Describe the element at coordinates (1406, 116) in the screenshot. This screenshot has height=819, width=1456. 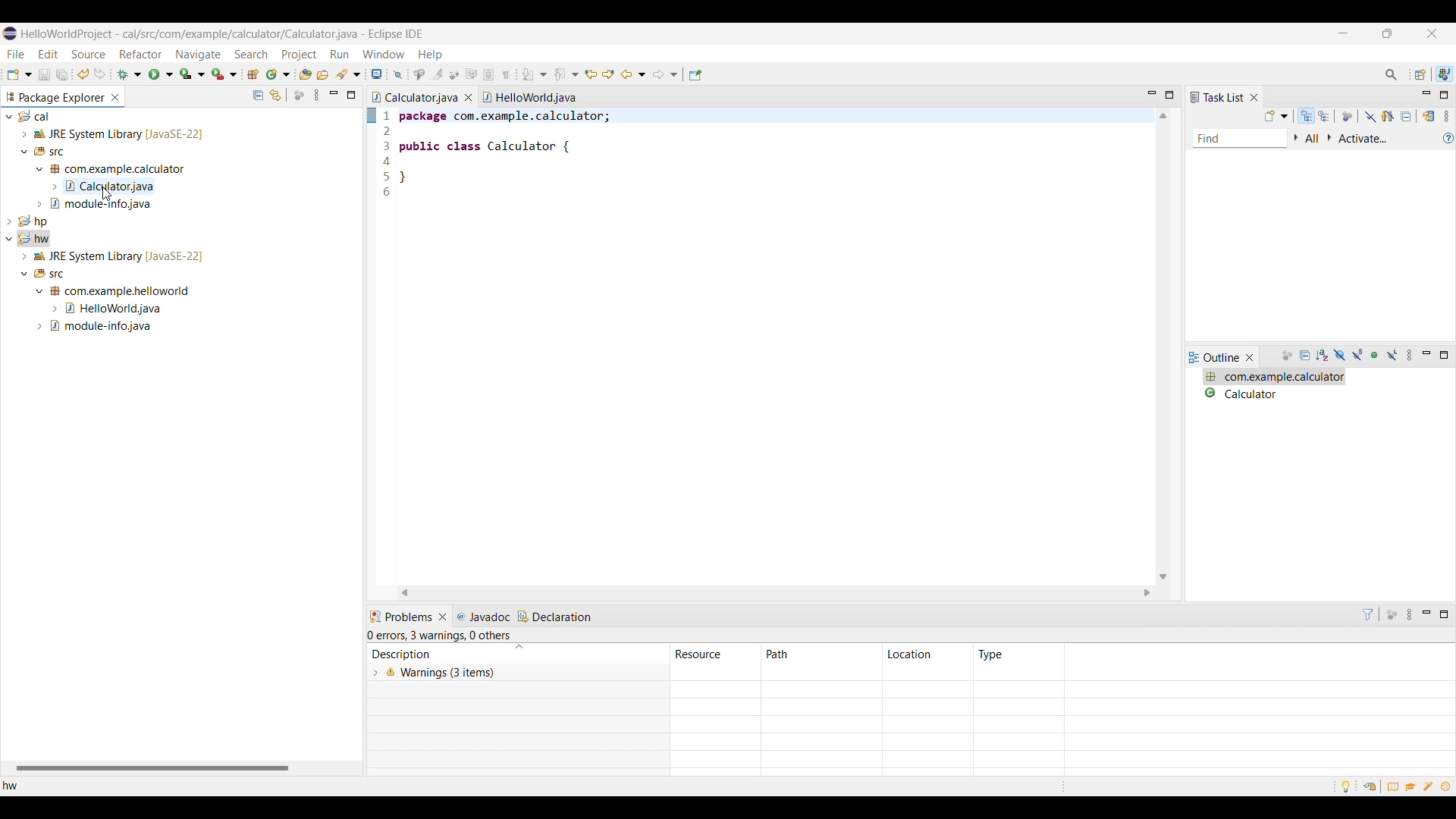
I see `Collapse all` at that location.